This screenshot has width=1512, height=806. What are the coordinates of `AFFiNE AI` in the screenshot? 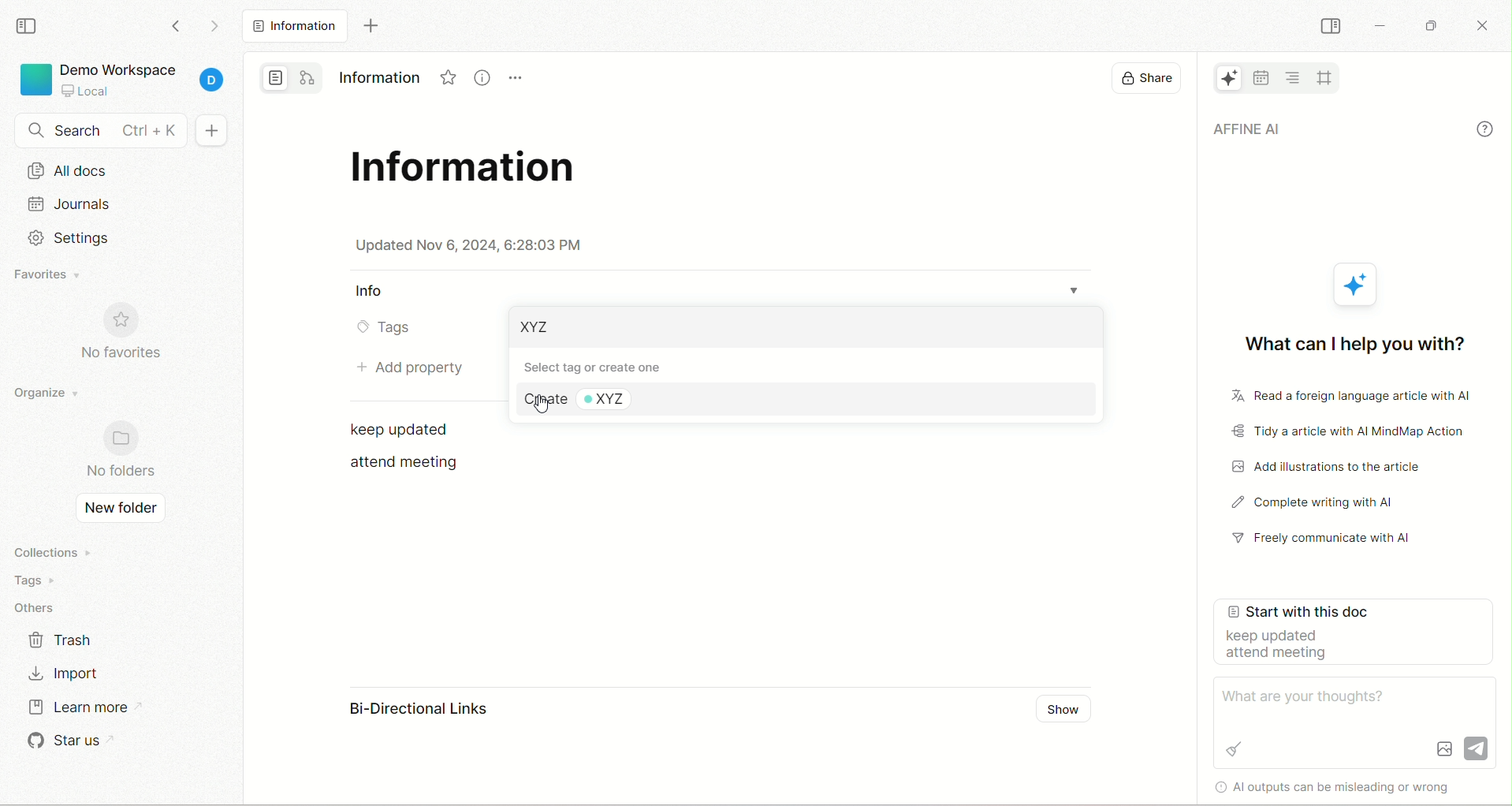 It's located at (1221, 80).